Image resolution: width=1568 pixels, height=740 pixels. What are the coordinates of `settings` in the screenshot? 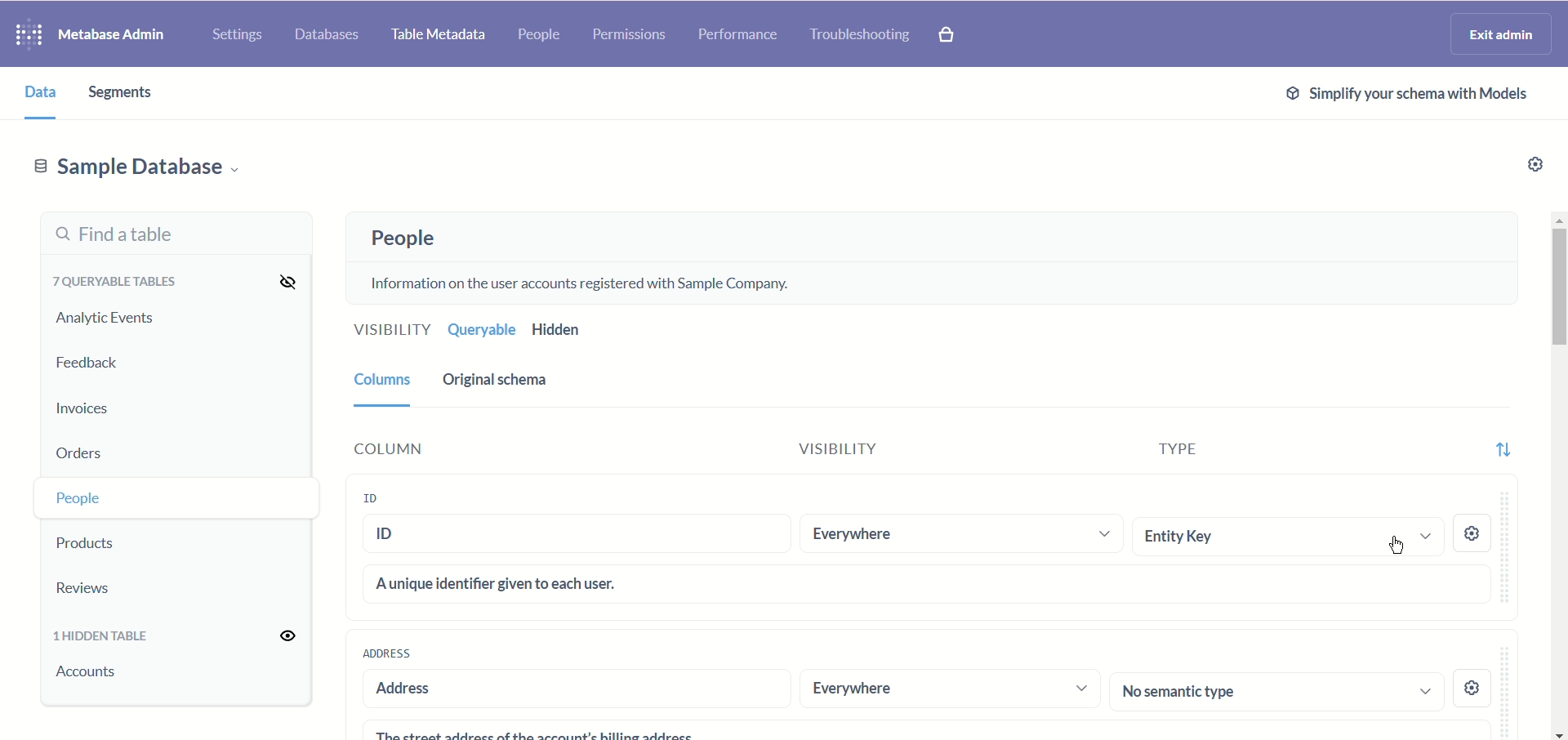 It's located at (1474, 684).